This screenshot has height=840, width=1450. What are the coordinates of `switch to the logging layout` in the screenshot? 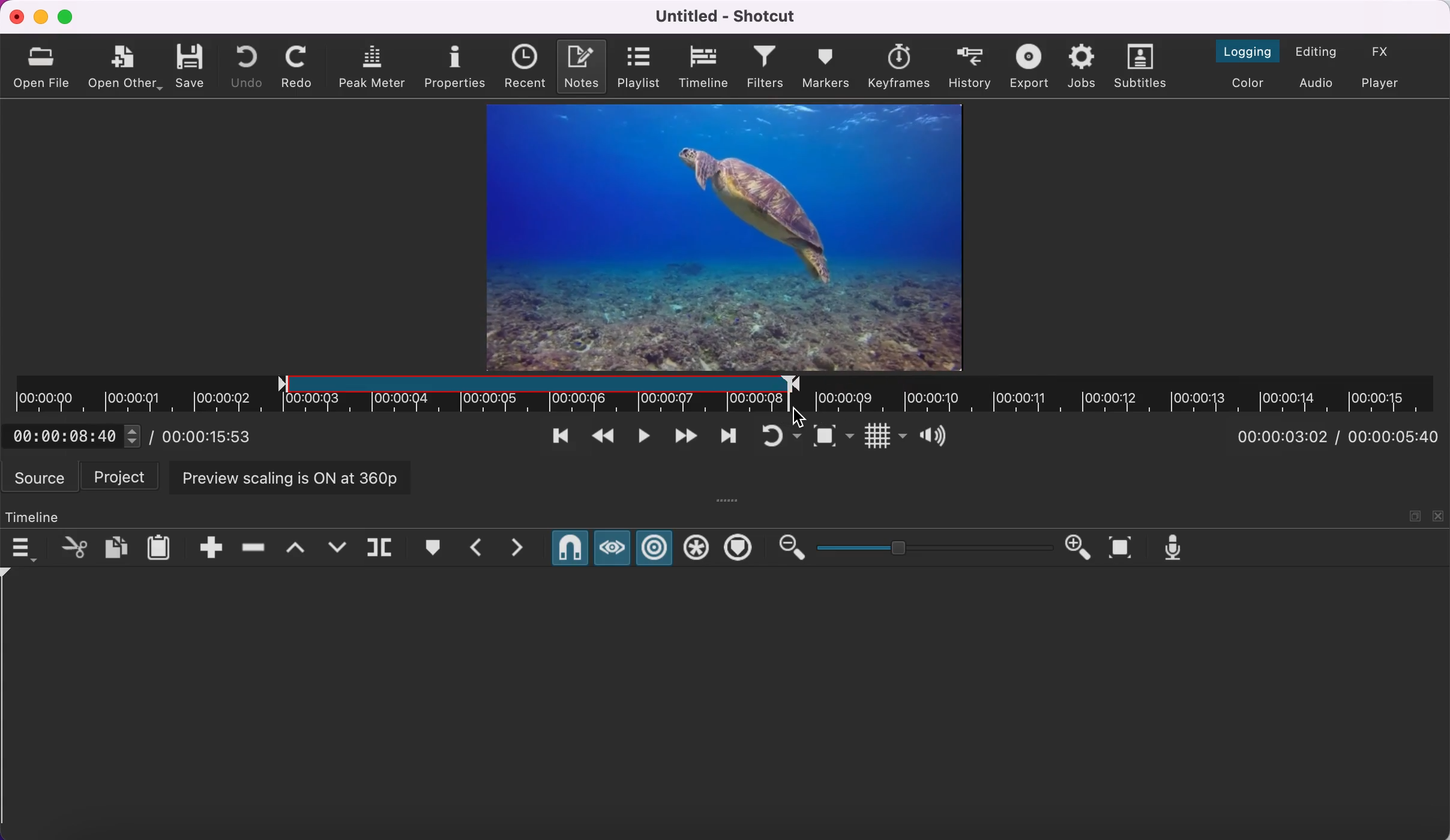 It's located at (1251, 51).